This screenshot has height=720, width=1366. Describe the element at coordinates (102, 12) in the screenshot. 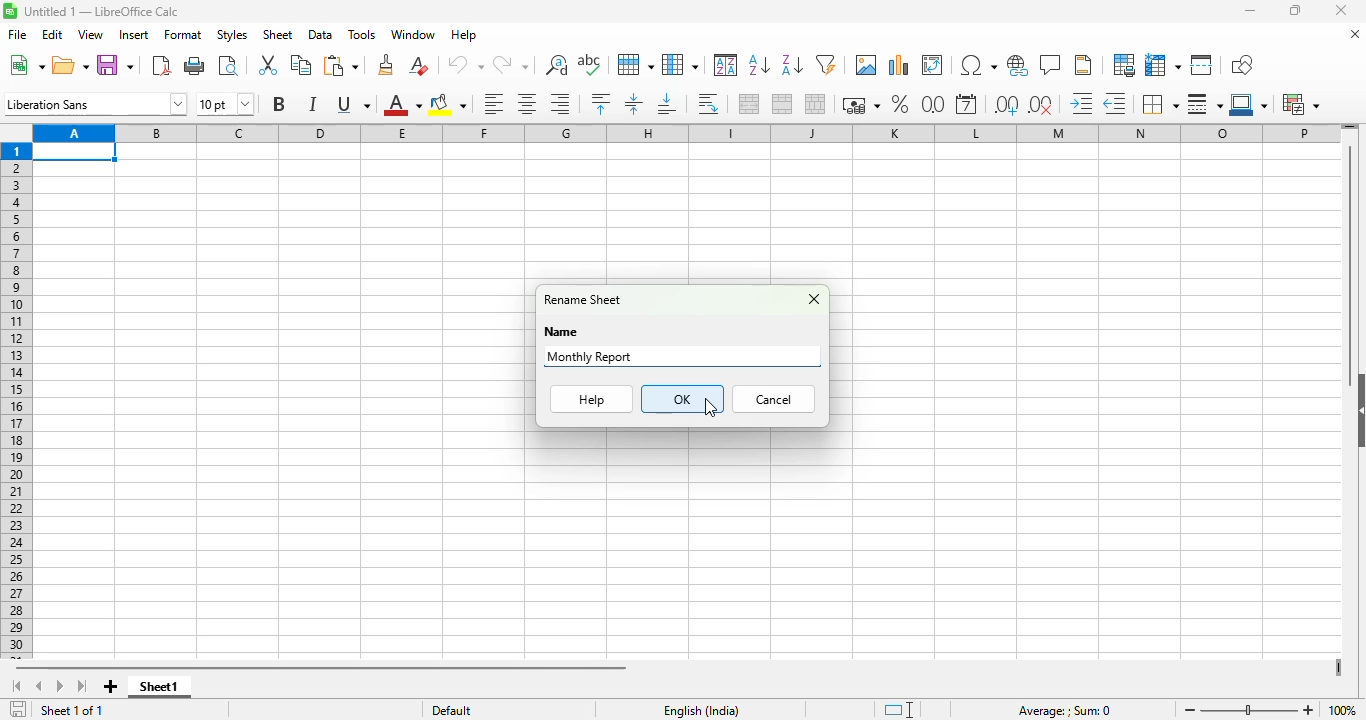

I see `title` at that location.